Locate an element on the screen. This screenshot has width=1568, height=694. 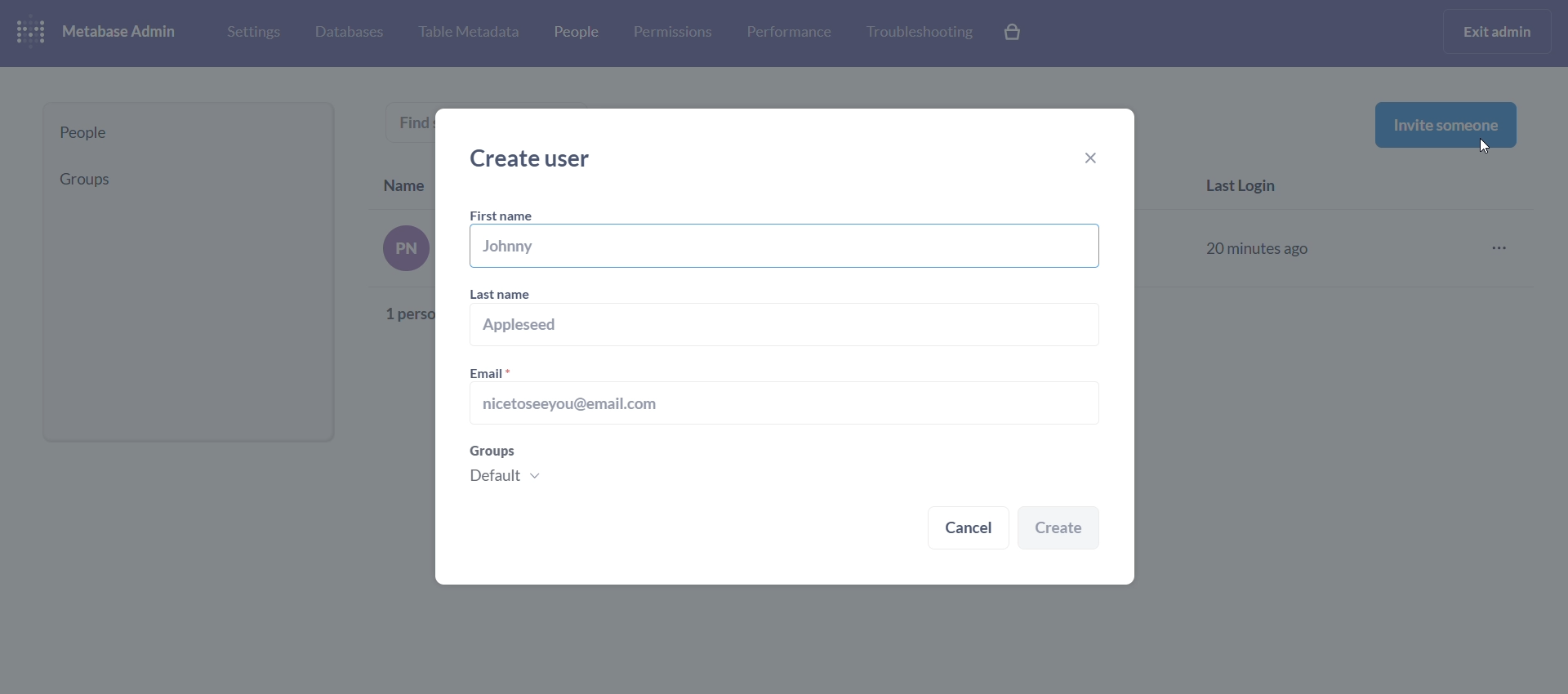
cursor is located at coordinates (1486, 149).